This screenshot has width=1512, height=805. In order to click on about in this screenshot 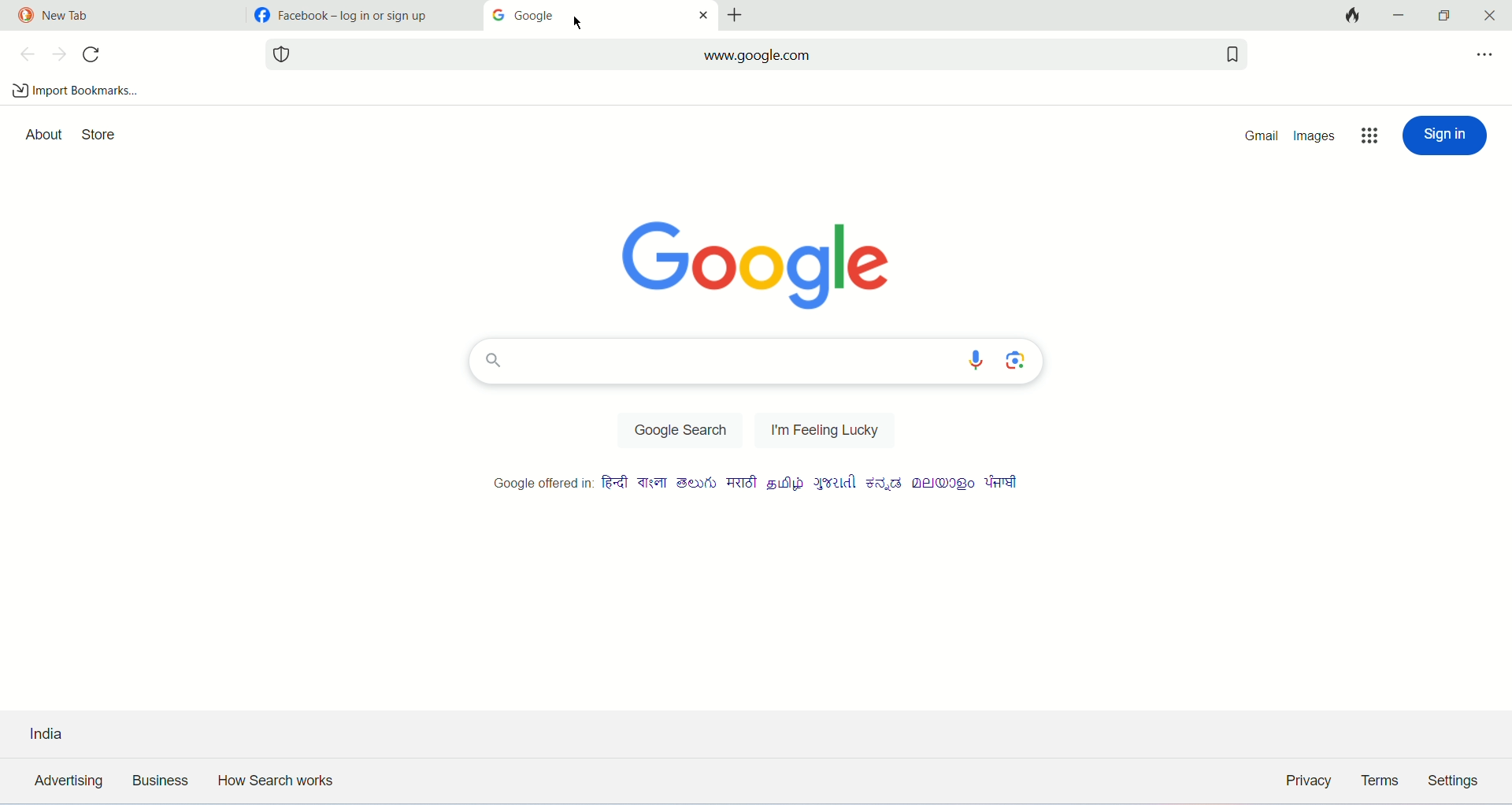, I will do `click(41, 134)`.